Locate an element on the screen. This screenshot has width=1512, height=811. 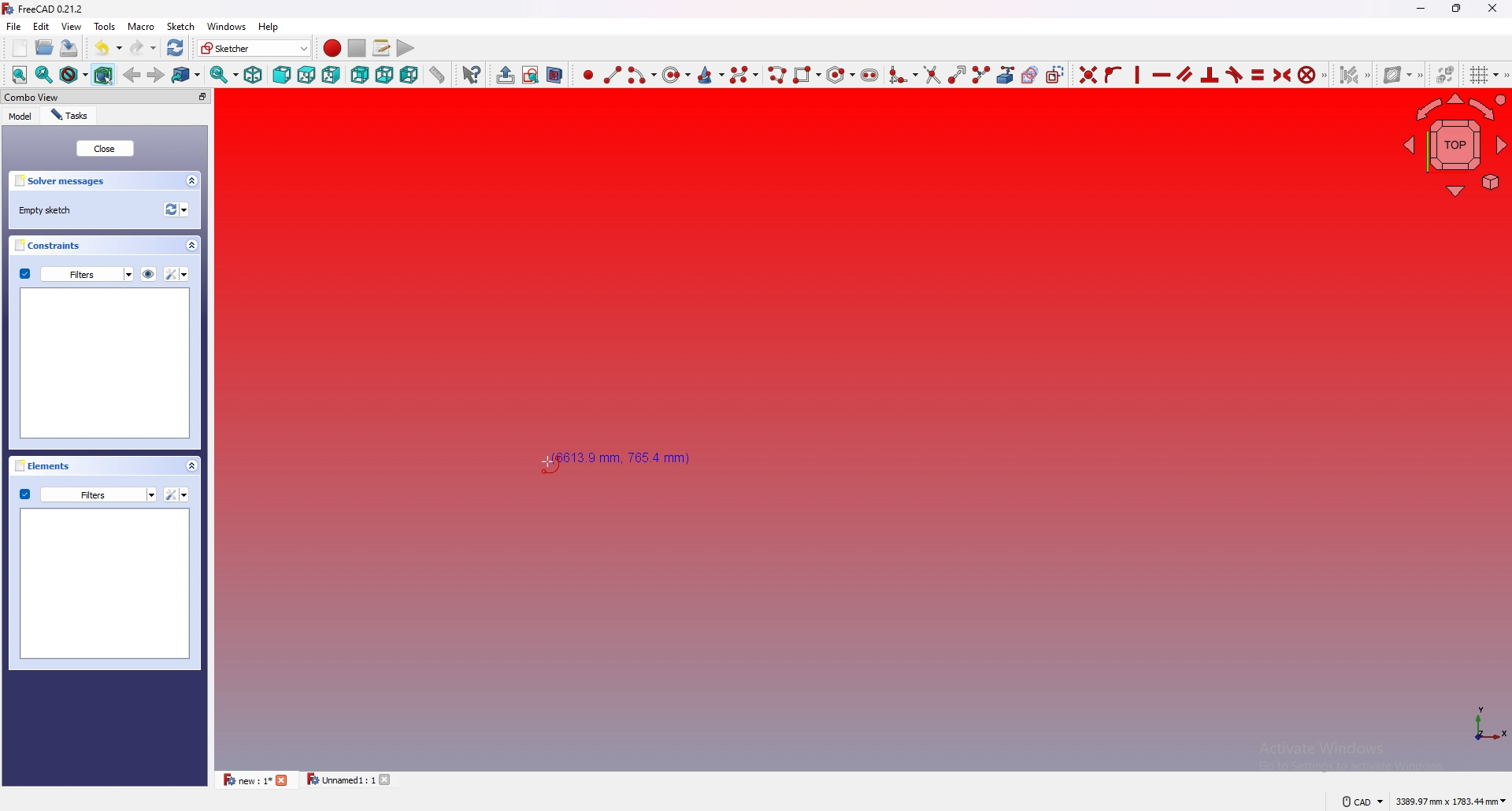
view sketch is located at coordinates (531, 76).